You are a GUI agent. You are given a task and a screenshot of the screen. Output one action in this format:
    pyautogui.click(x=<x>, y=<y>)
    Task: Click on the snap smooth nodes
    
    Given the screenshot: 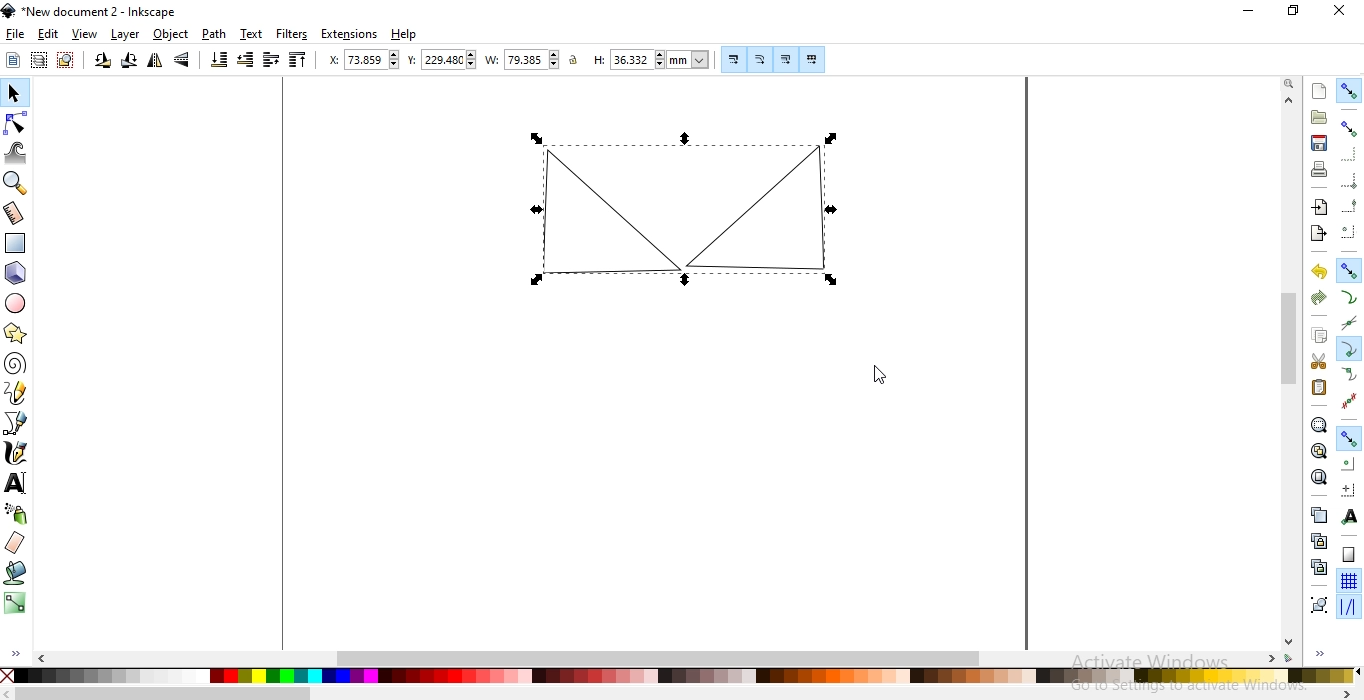 What is the action you would take?
    pyautogui.click(x=1351, y=373)
    